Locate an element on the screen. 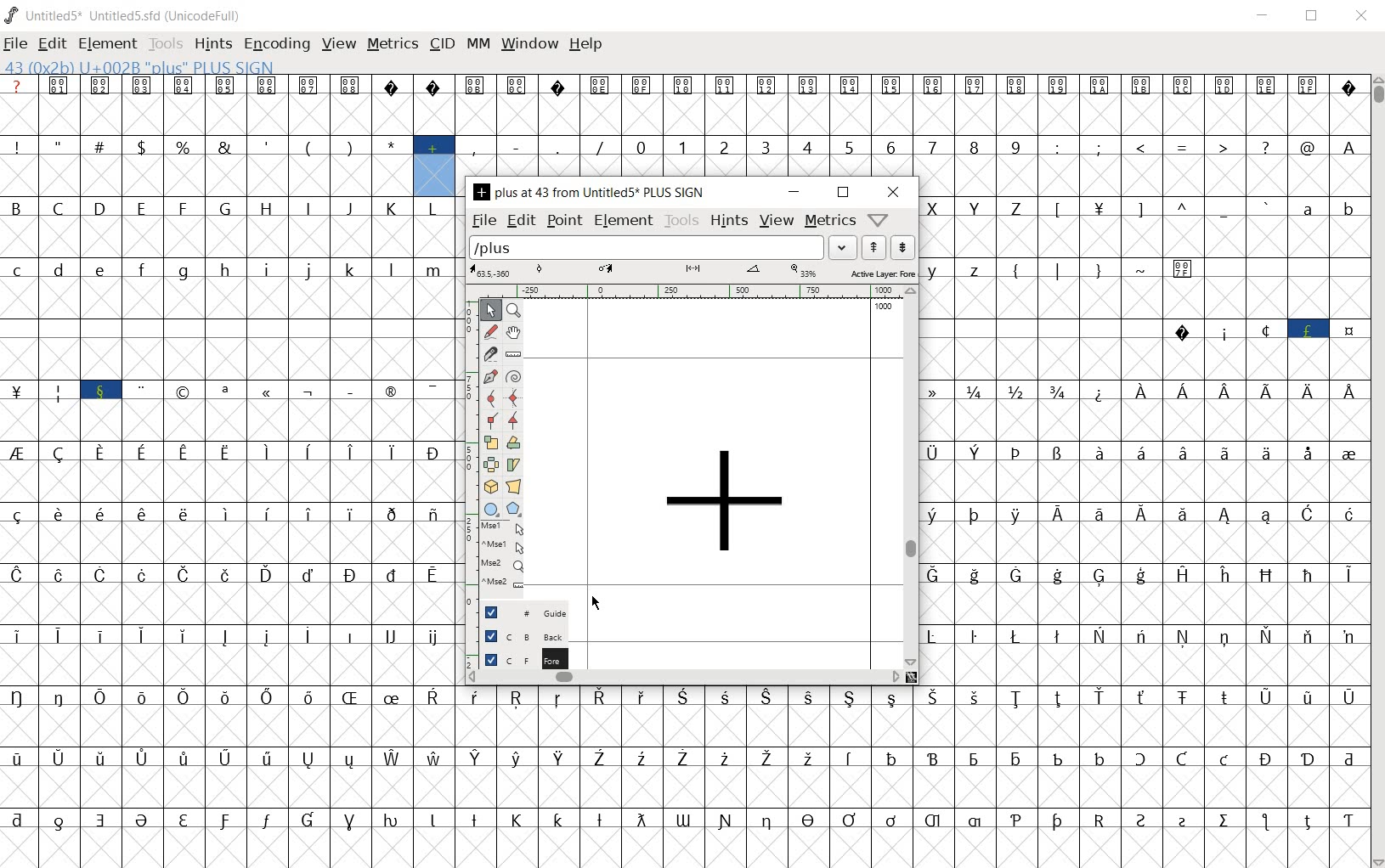 The height and width of the screenshot is (868, 1385). encoding is located at coordinates (276, 42).